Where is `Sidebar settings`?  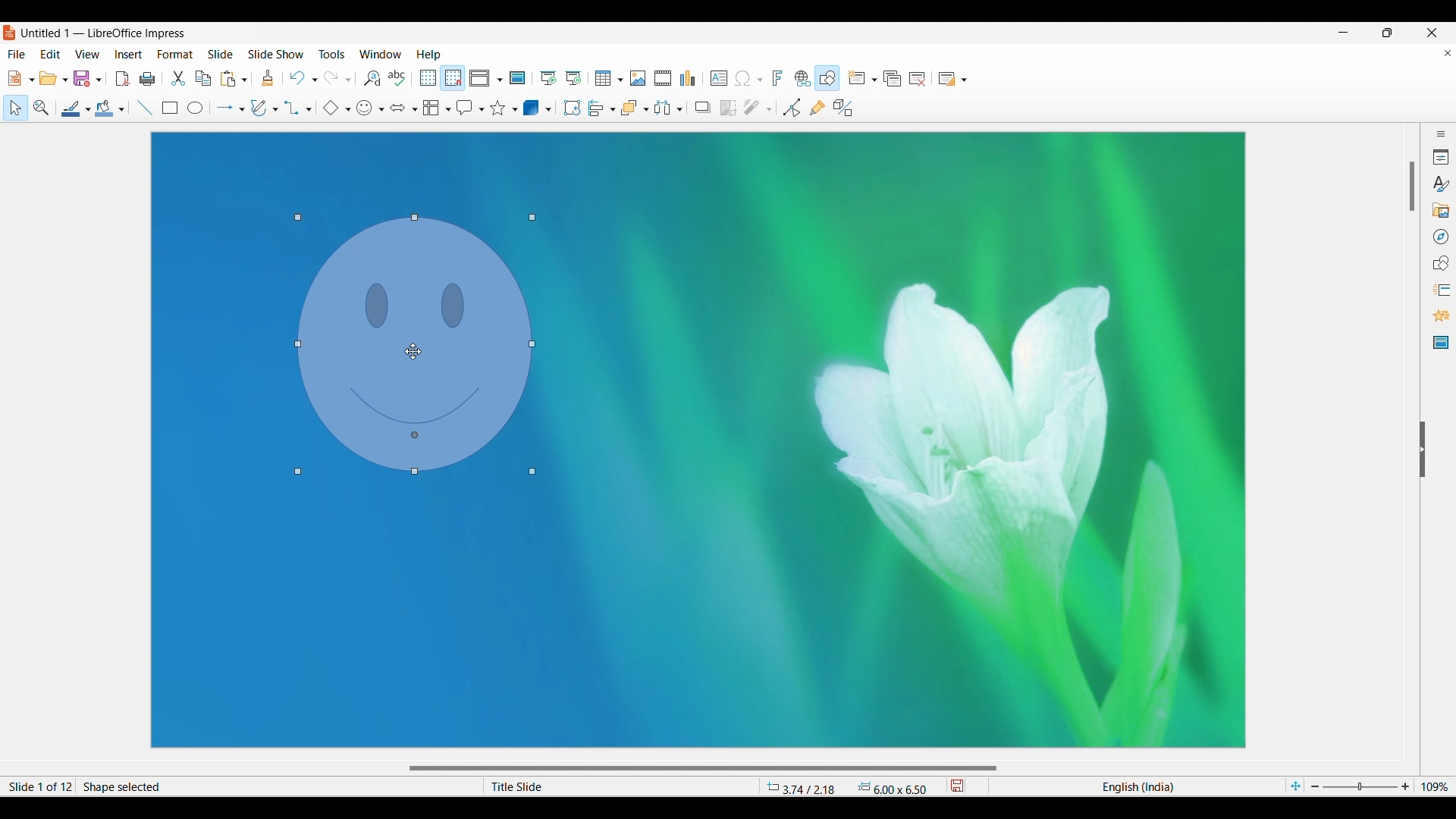
Sidebar settings is located at coordinates (1441, 133).